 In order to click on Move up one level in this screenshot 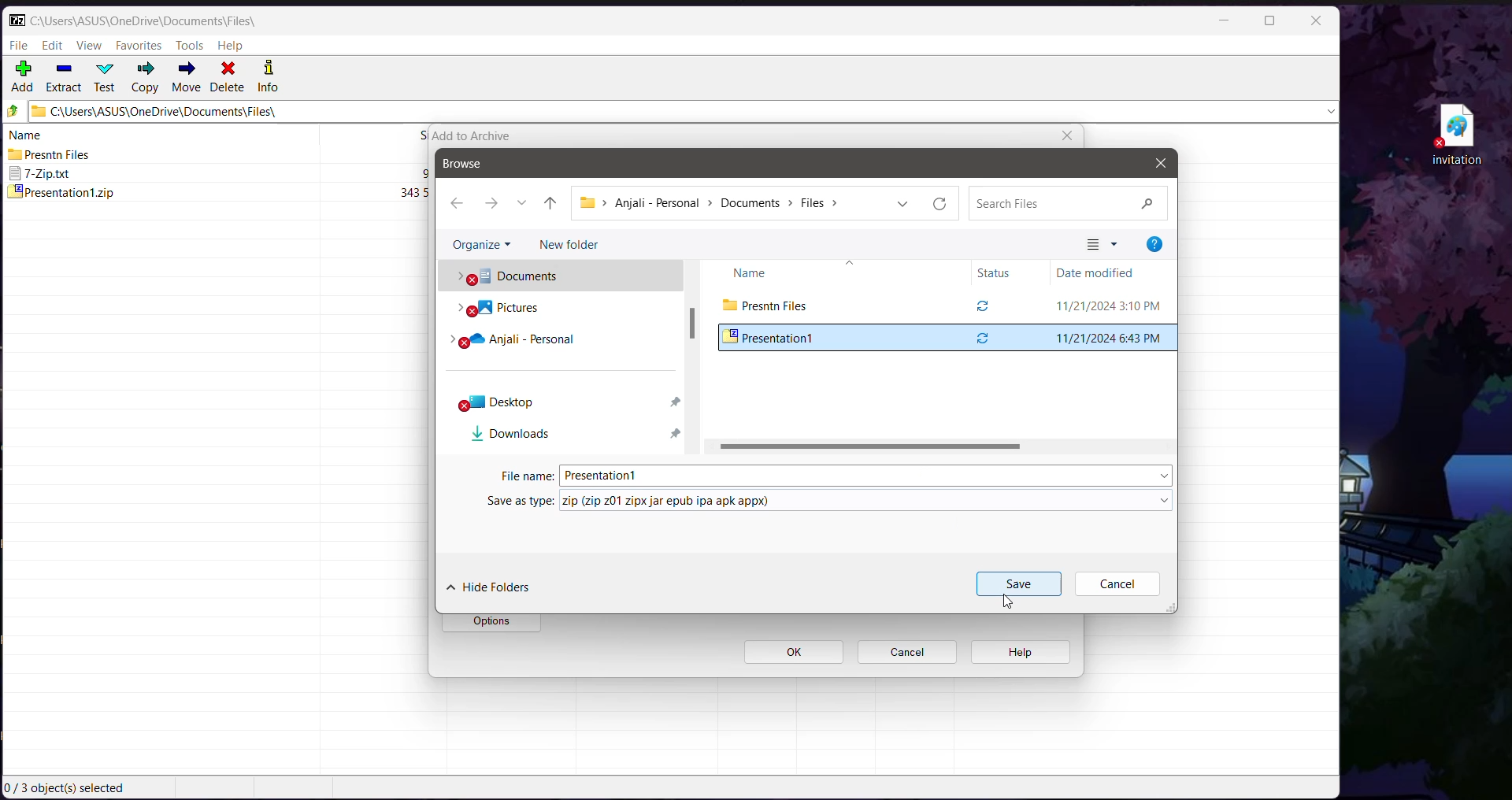, I will do `click(550, 204)`.